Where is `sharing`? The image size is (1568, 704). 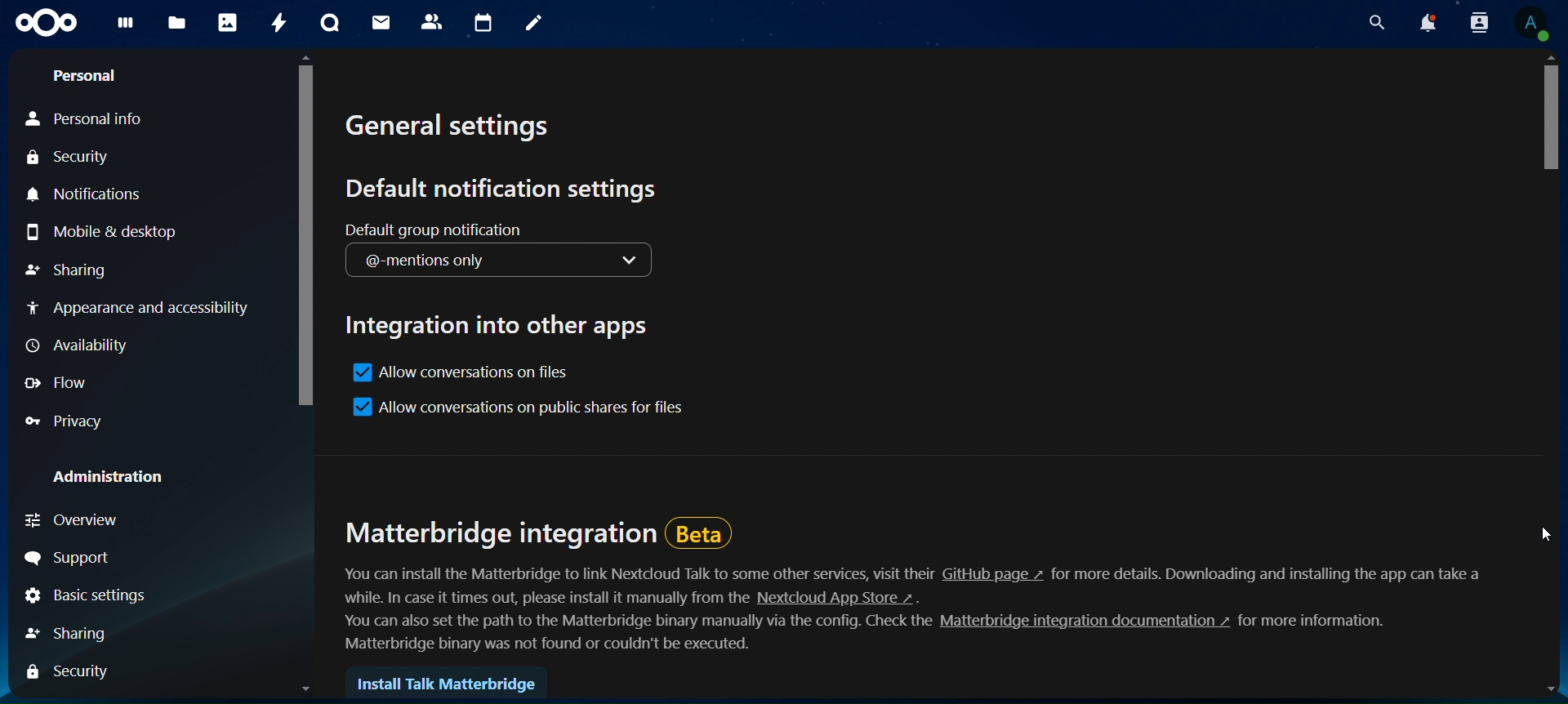 sharing is located at coordinates (68, 635).